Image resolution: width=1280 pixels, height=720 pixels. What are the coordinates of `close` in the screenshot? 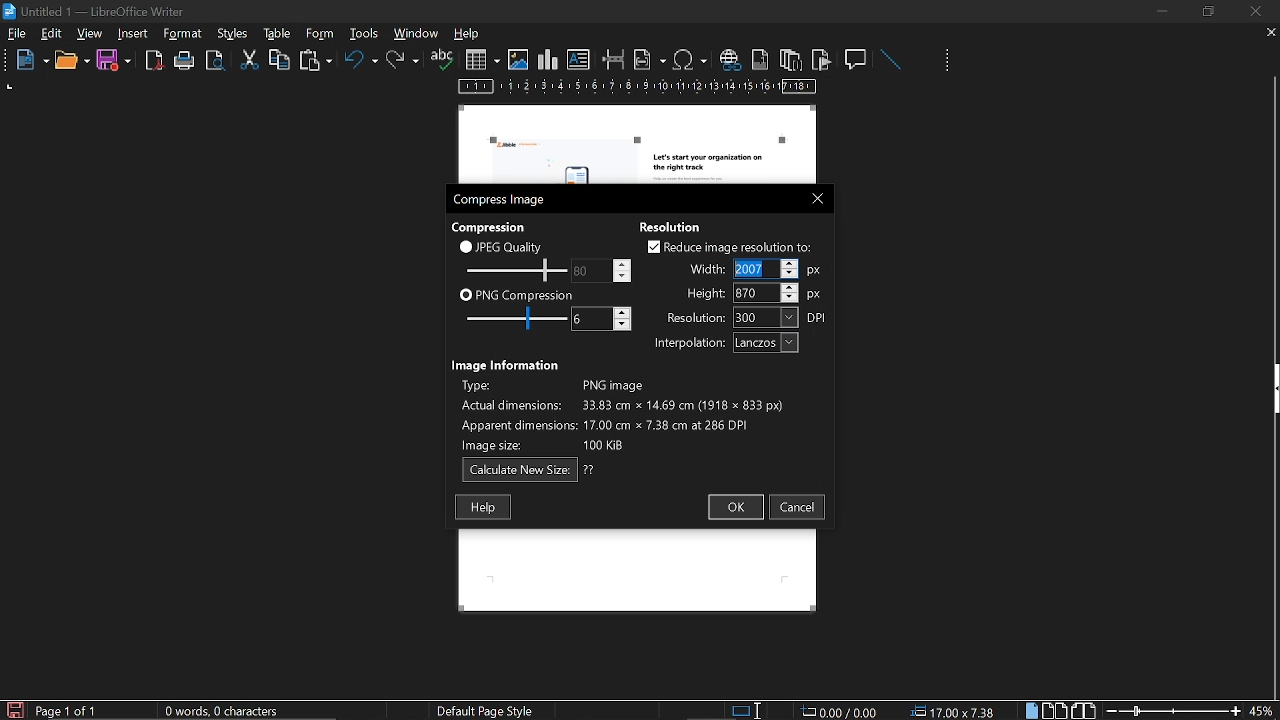 It's located at (813, 197).